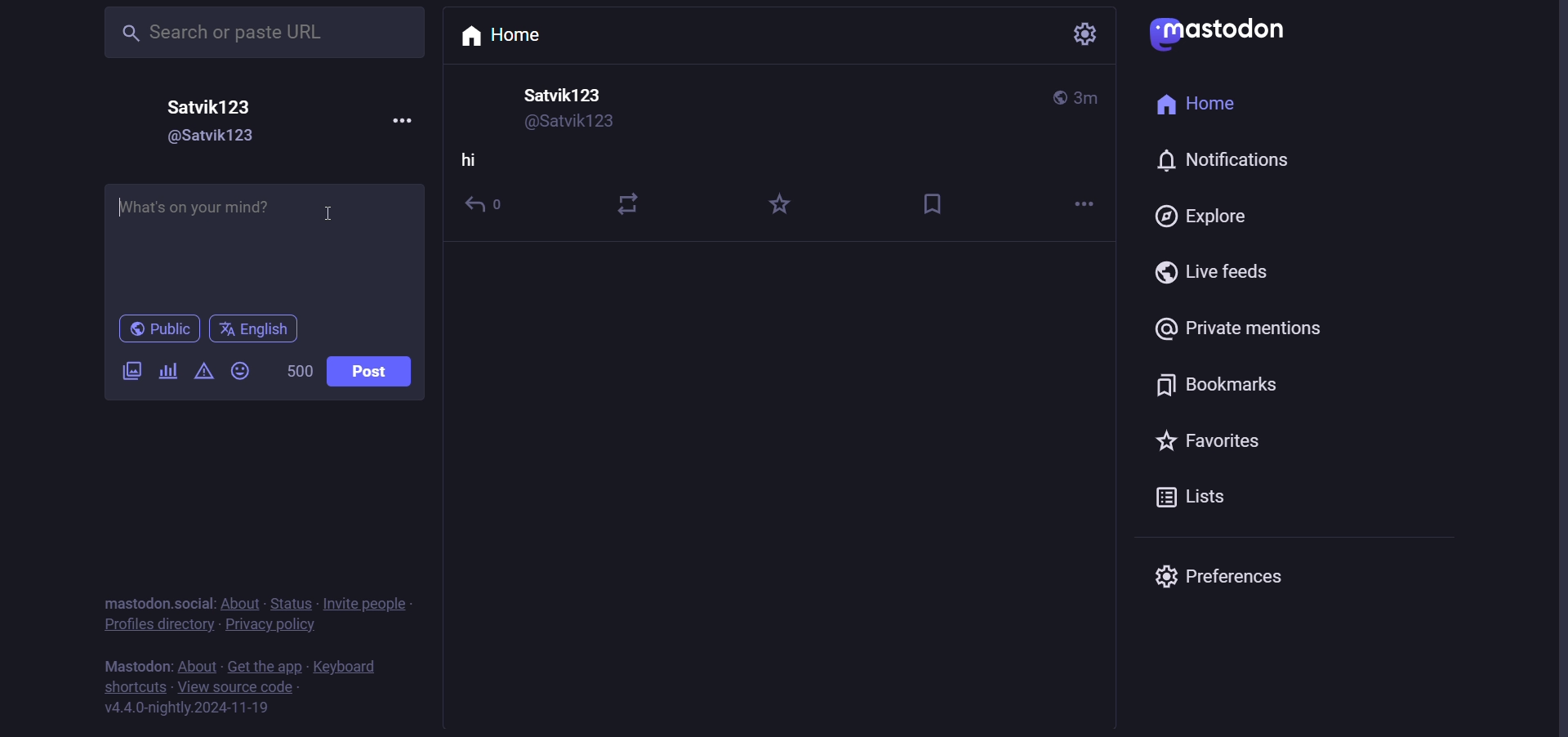  What do you see at coordinates (196, 601) in the screenshot?
I see `social` at bounding box center [196, 601].